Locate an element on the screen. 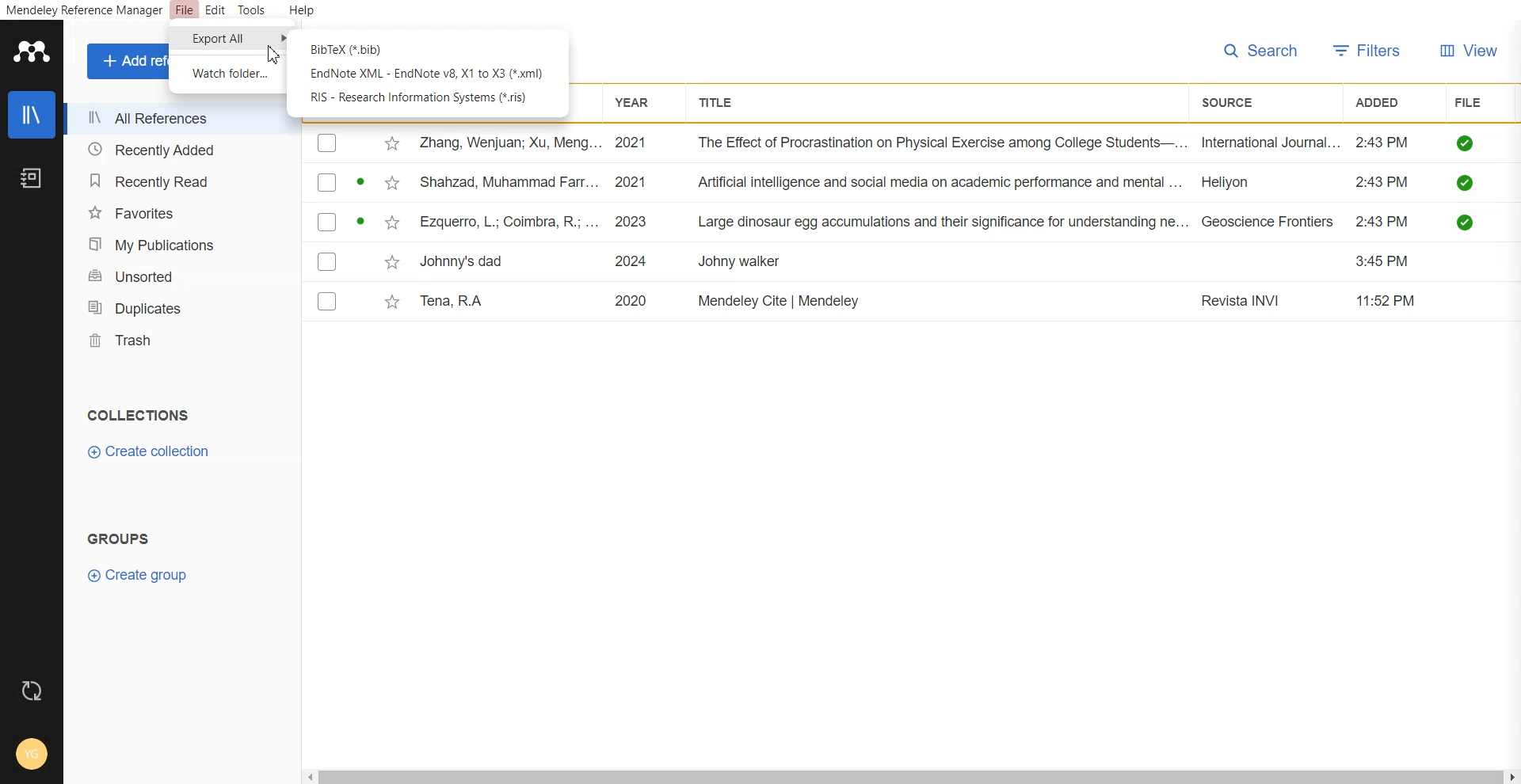  All References is located at coordinates (174, 119).